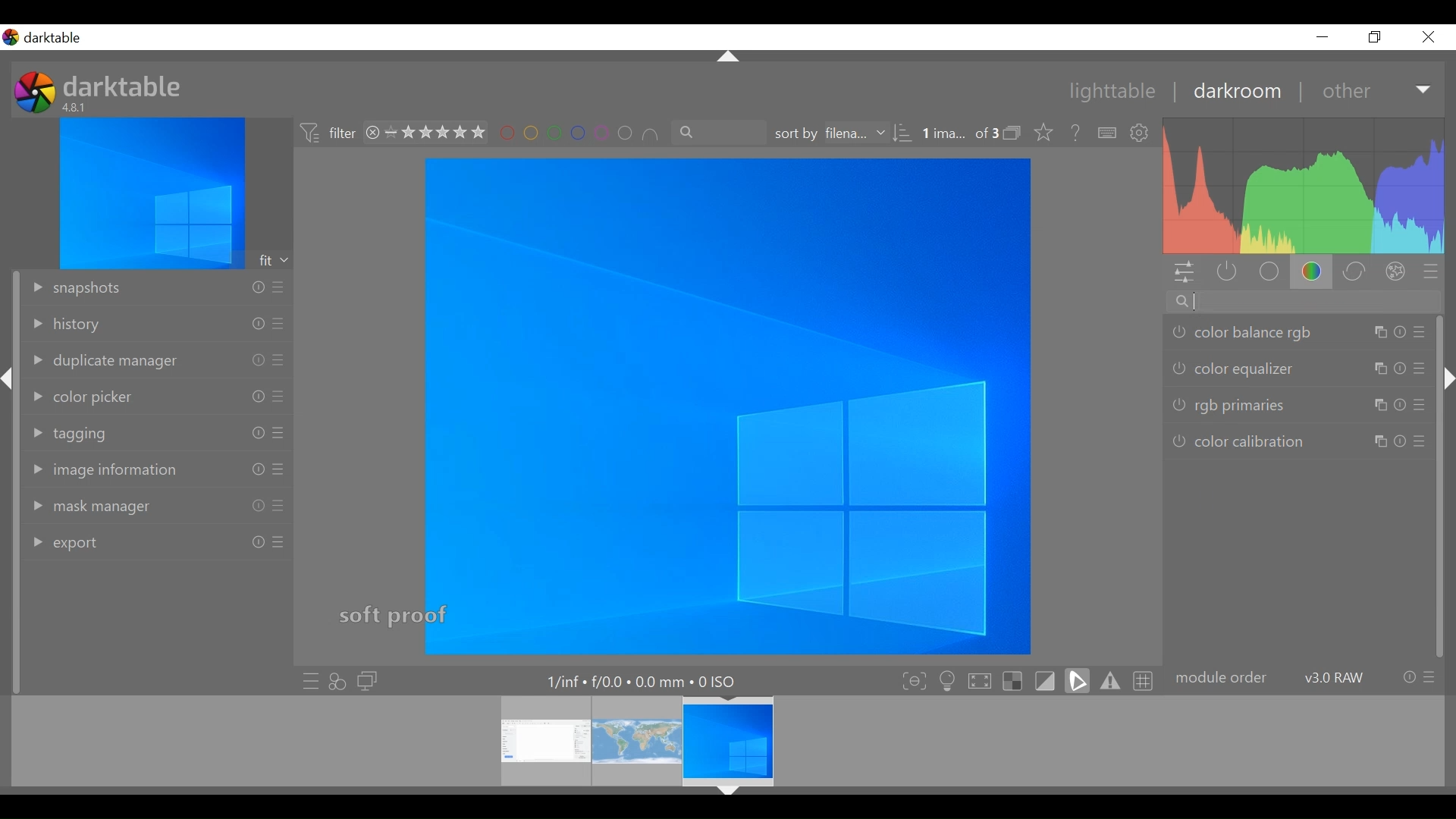 Image resolution: width=1456 pixels, height=819 pixels. What do you see at coordinates (275, 260) in the screenshot?
I see `fit` at bounding box center [275, 260].